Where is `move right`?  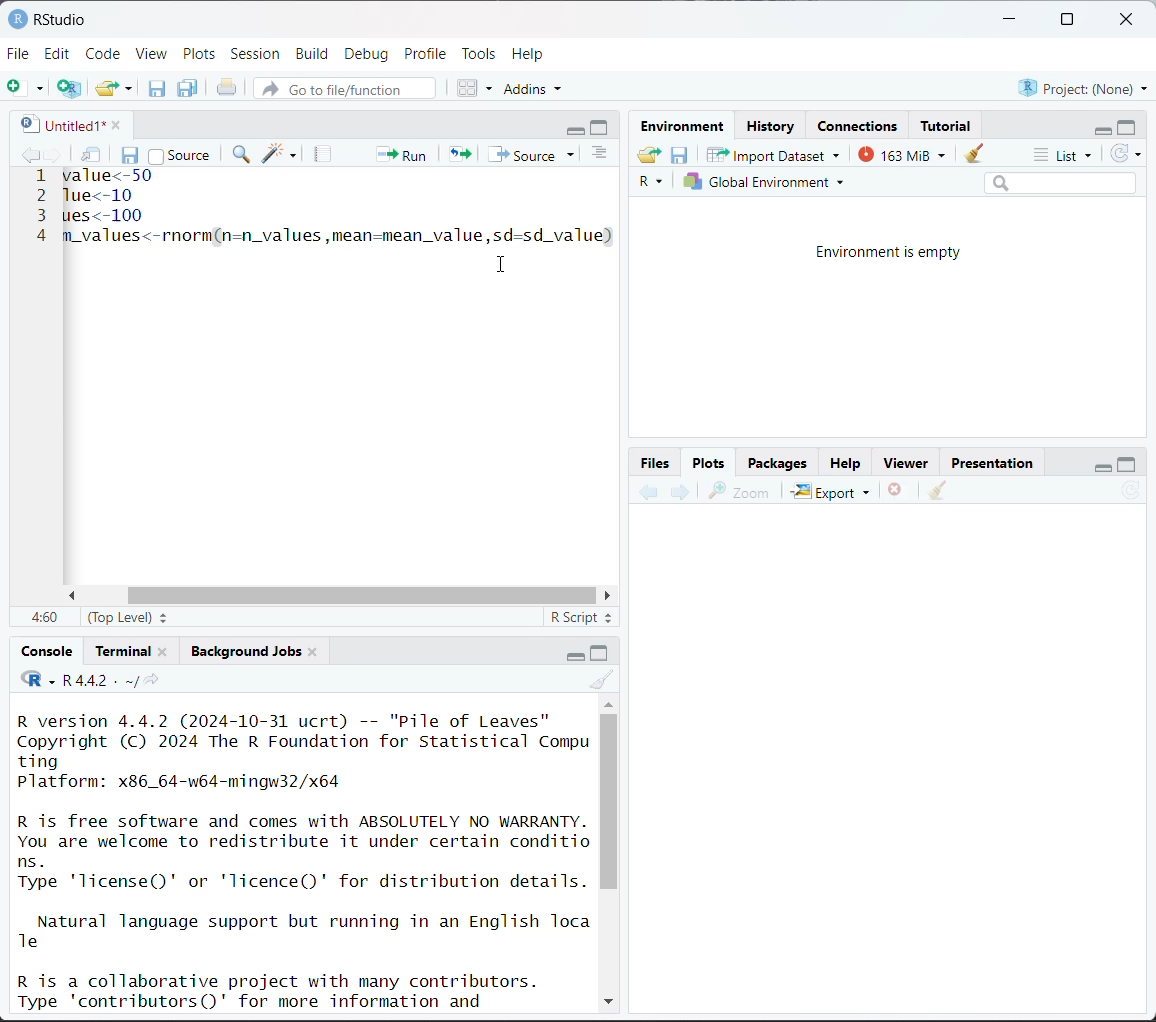
move right is located at coordinates (606, 596).